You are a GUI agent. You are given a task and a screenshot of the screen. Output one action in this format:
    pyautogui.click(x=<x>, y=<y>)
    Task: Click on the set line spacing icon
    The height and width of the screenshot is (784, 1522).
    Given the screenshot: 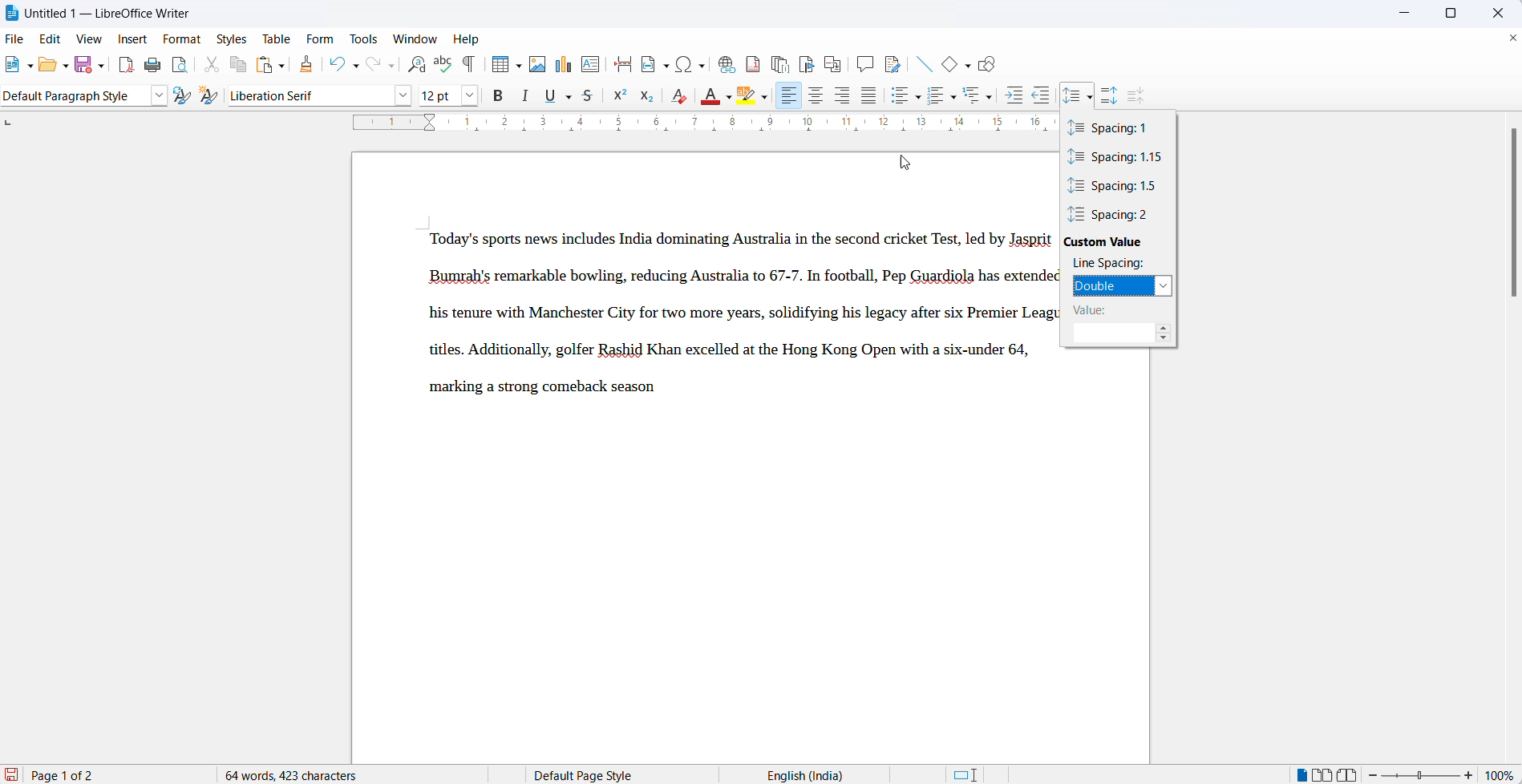 What is the action you would take?
    pyautogui.click(x=1071, y=94)
    